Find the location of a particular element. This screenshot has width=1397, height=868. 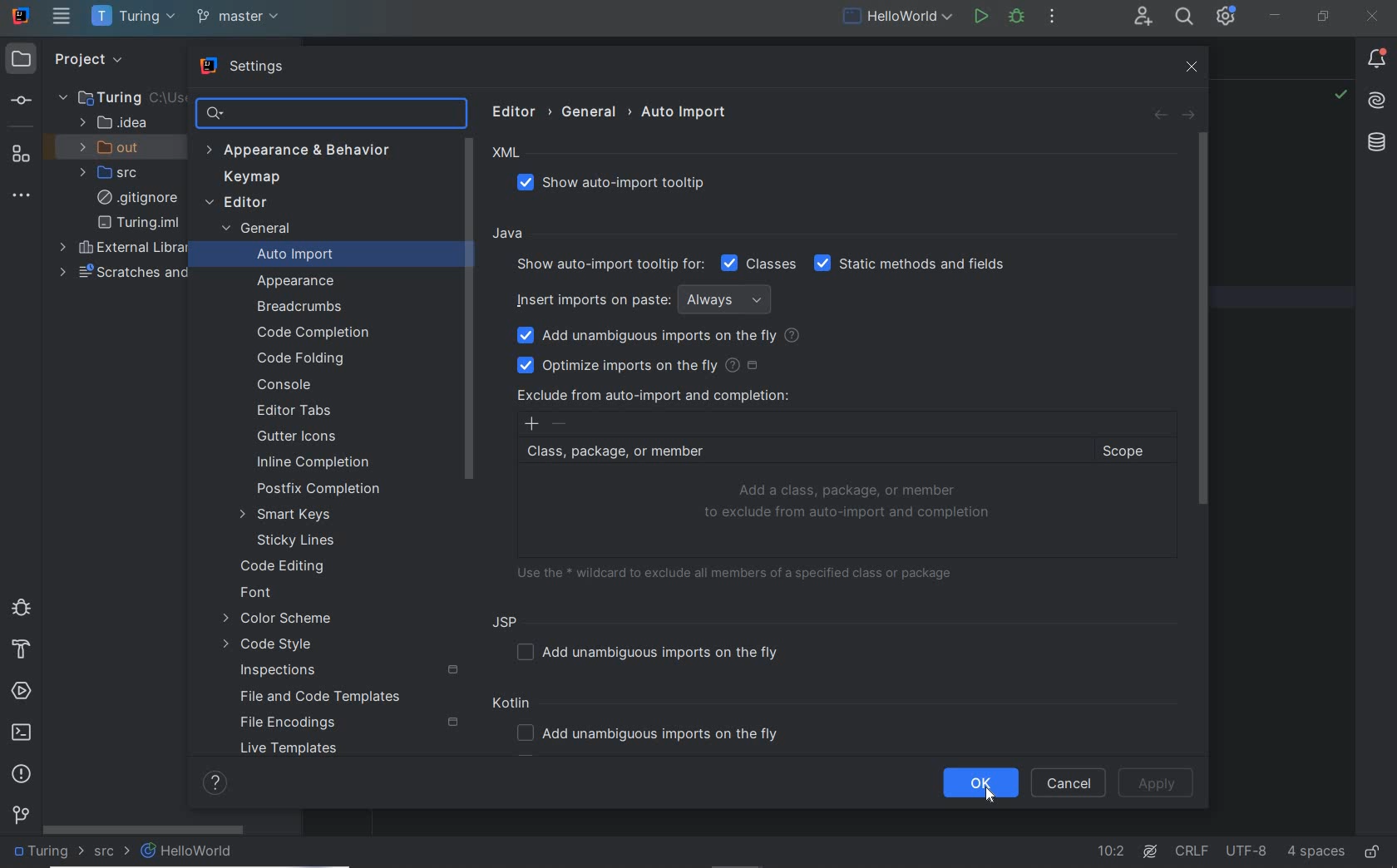

go to line 10:2 is located at coordinates (1111, 851).